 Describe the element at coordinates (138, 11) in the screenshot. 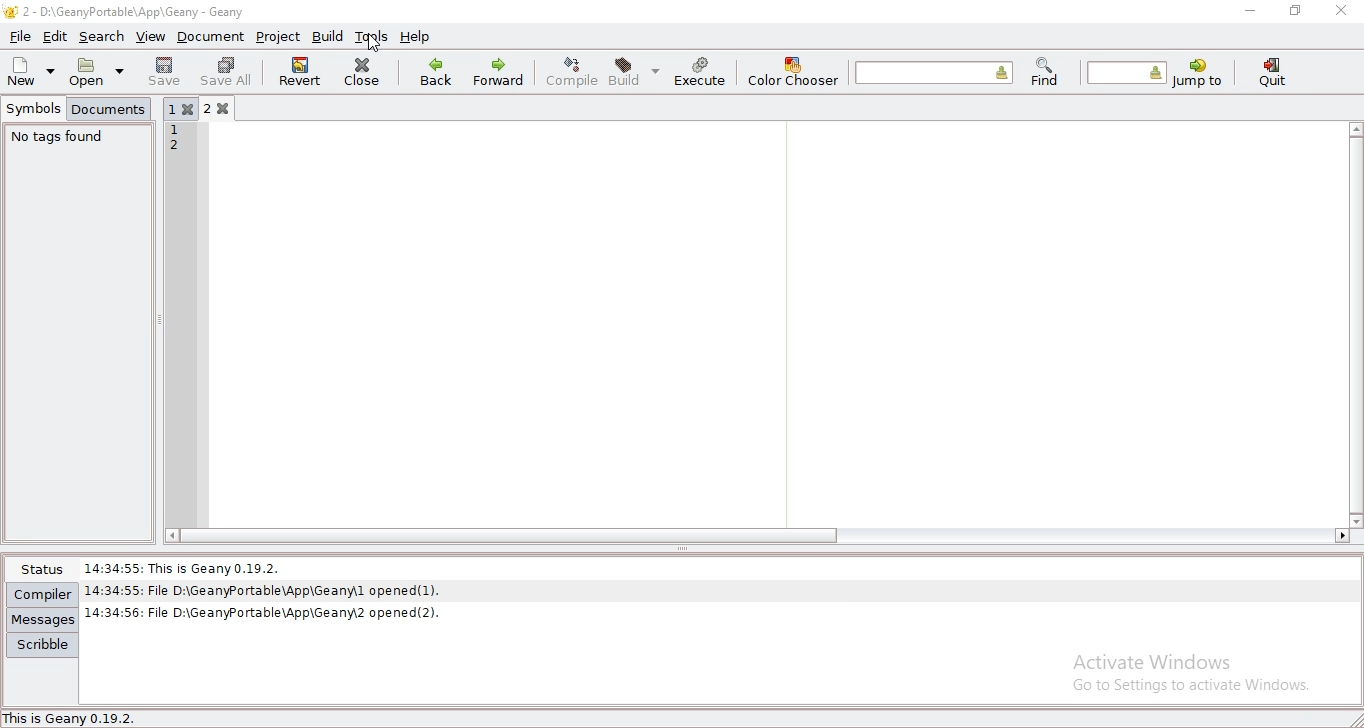

I see ` 2 - D:\GeanyPortable\App\Geany - Geany` at that location.